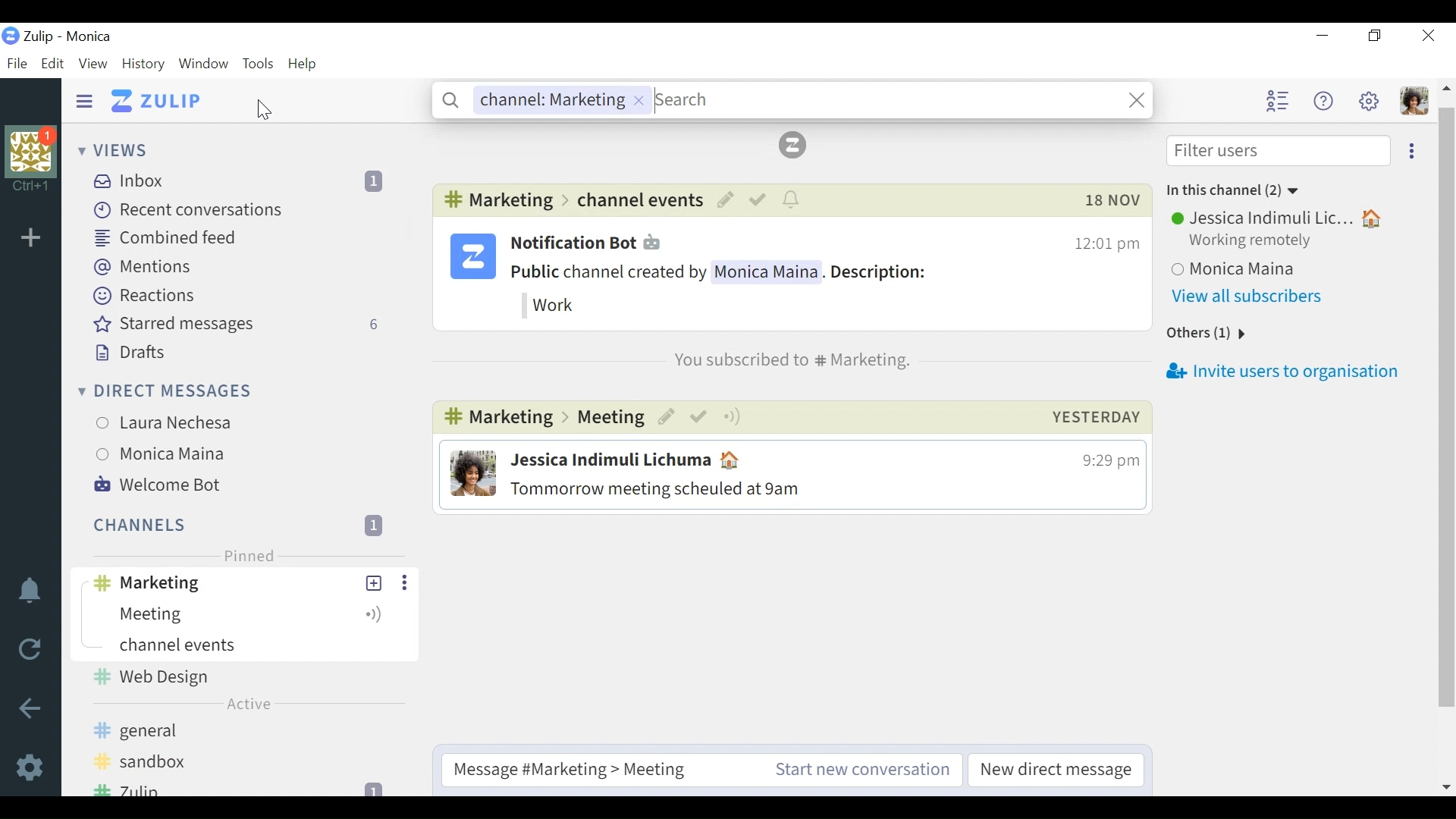 The image size is (1456, 819). Describe the element at coordinates (597, 767) in the screenshot. I see `Compose message` at that location.